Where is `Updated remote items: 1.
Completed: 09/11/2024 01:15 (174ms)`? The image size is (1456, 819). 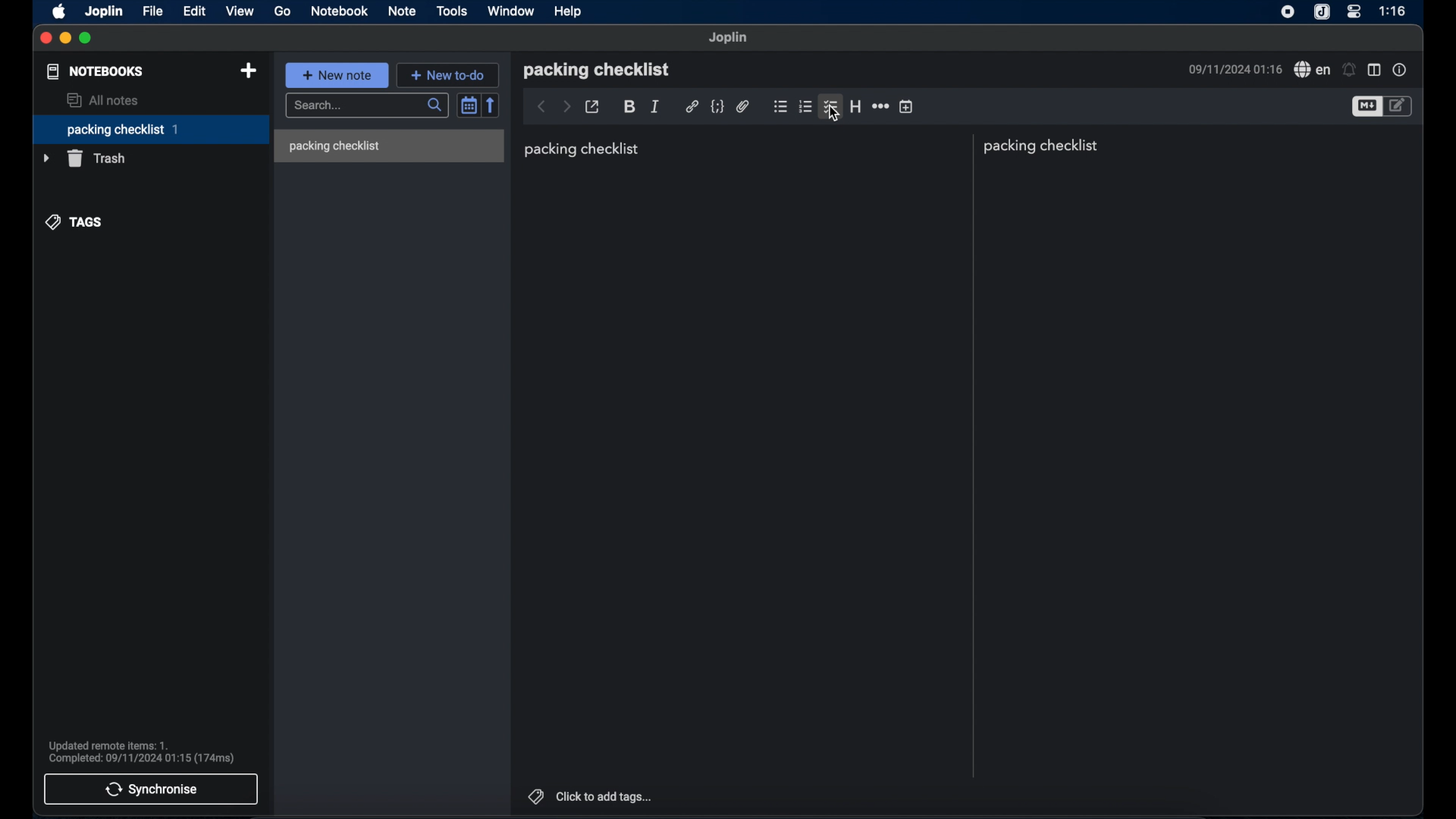 Updated remote items: 1.
Completed: 09/11/2024 01:15 (174ms) is located at coordinates (146, 751).